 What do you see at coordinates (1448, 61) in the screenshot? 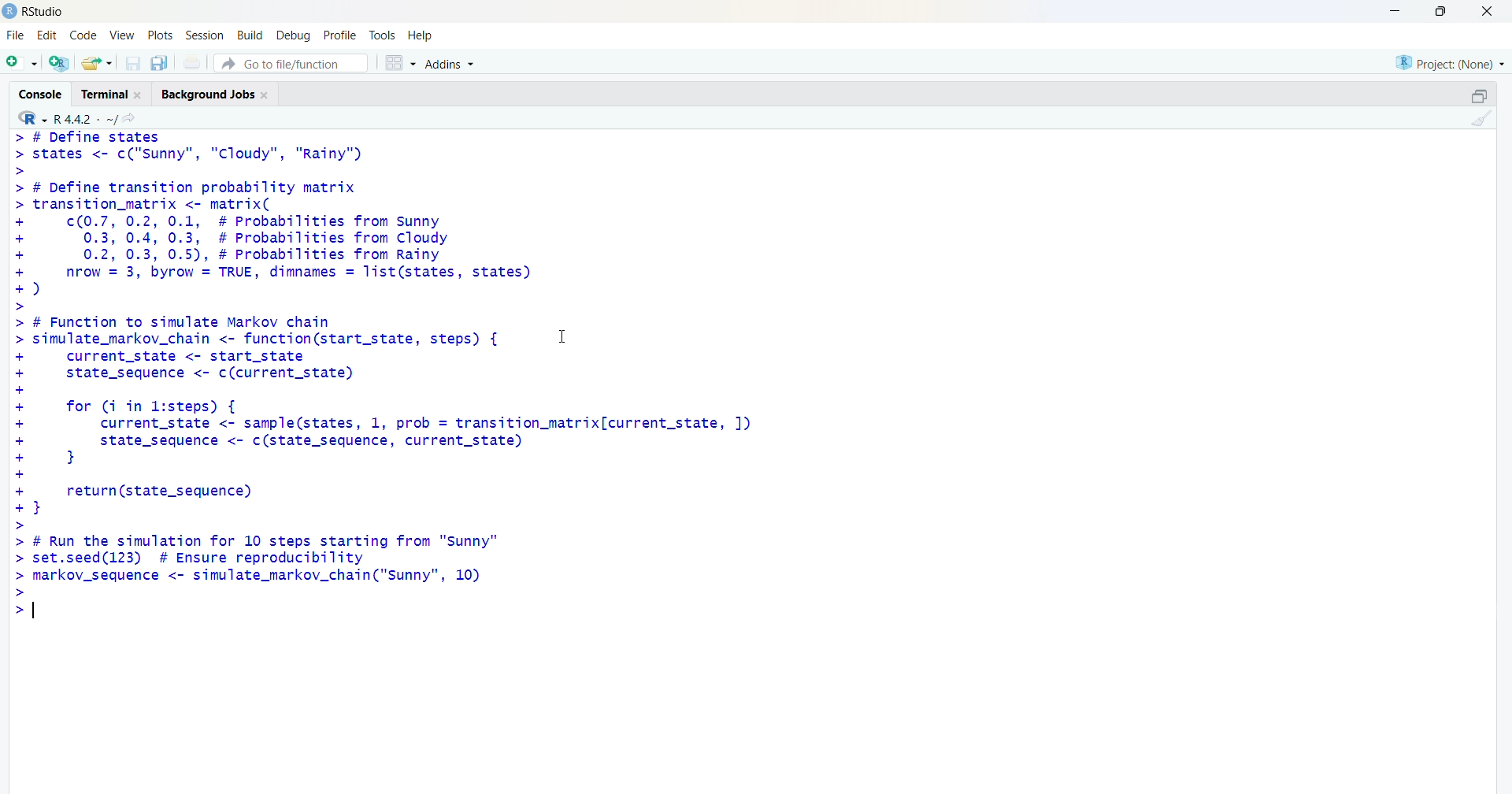
I see `project (None)` at bounding box center [1448, 61].